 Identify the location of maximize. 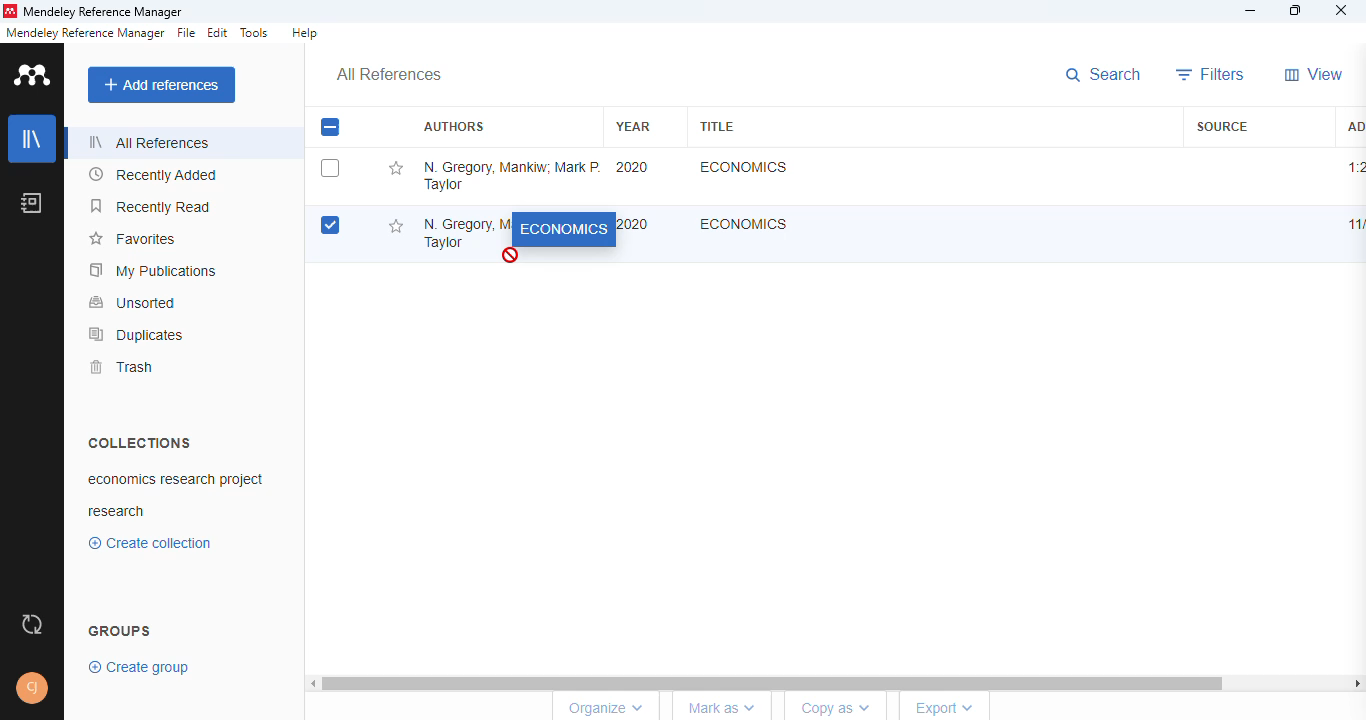
(1298, 11).